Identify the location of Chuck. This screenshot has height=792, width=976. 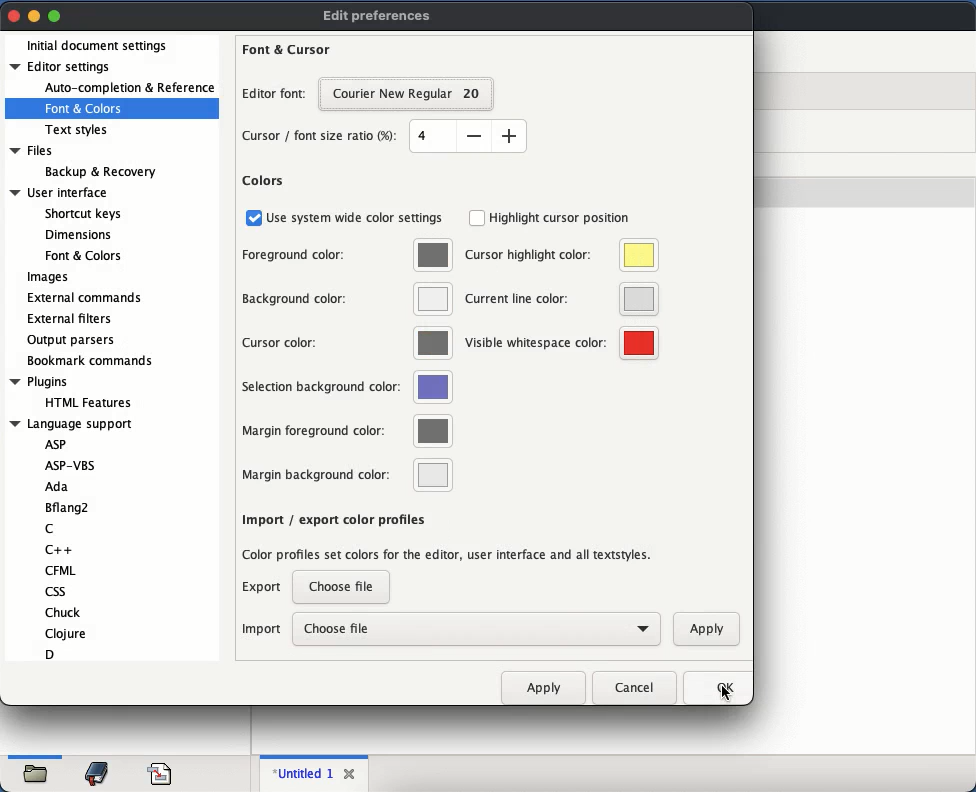
(65, 612).